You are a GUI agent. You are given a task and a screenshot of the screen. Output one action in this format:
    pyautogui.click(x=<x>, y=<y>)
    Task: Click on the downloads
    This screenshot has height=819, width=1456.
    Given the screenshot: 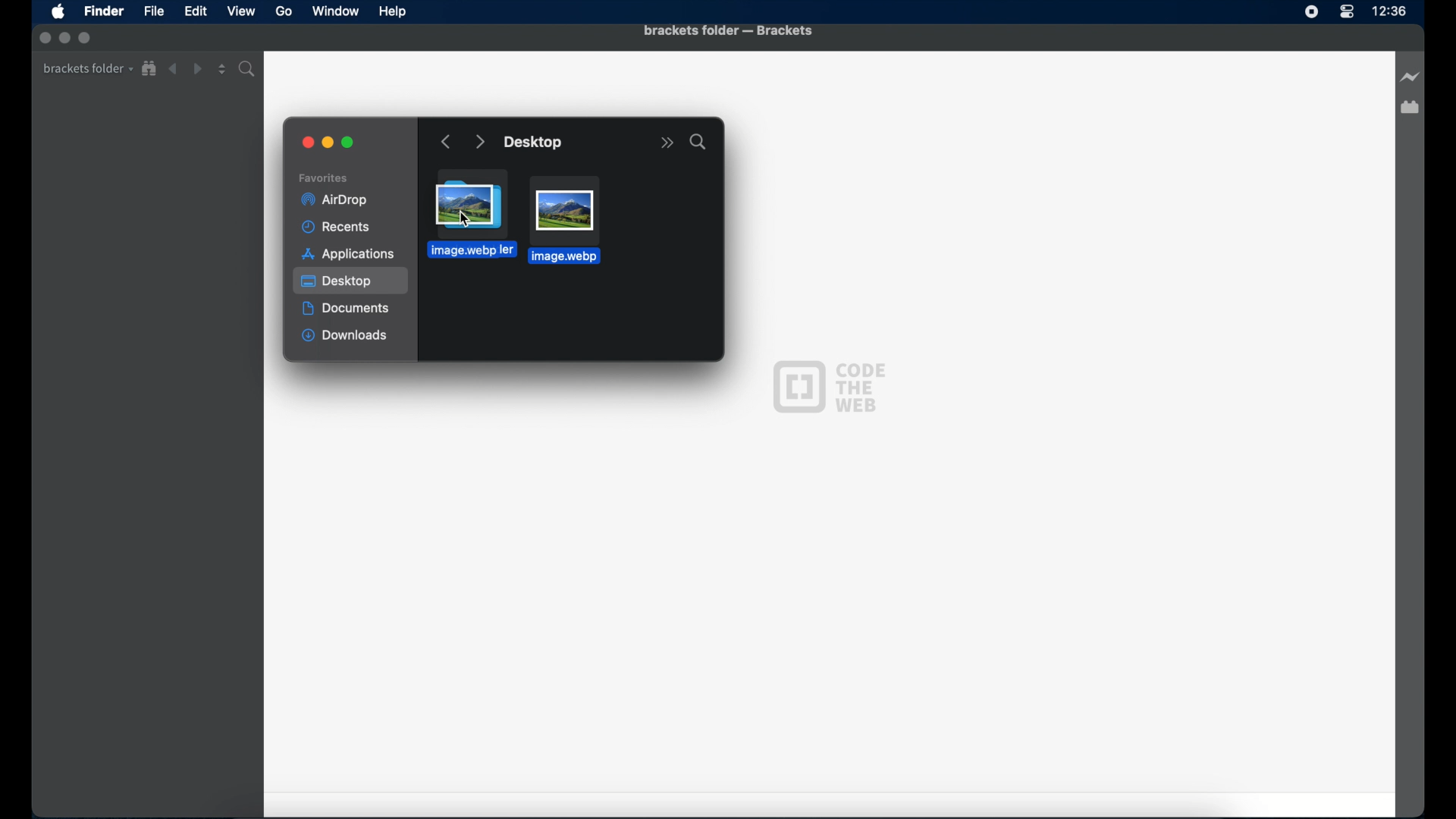 What is the action you would take?
    pyautogui.click(x=345, y=337)
    